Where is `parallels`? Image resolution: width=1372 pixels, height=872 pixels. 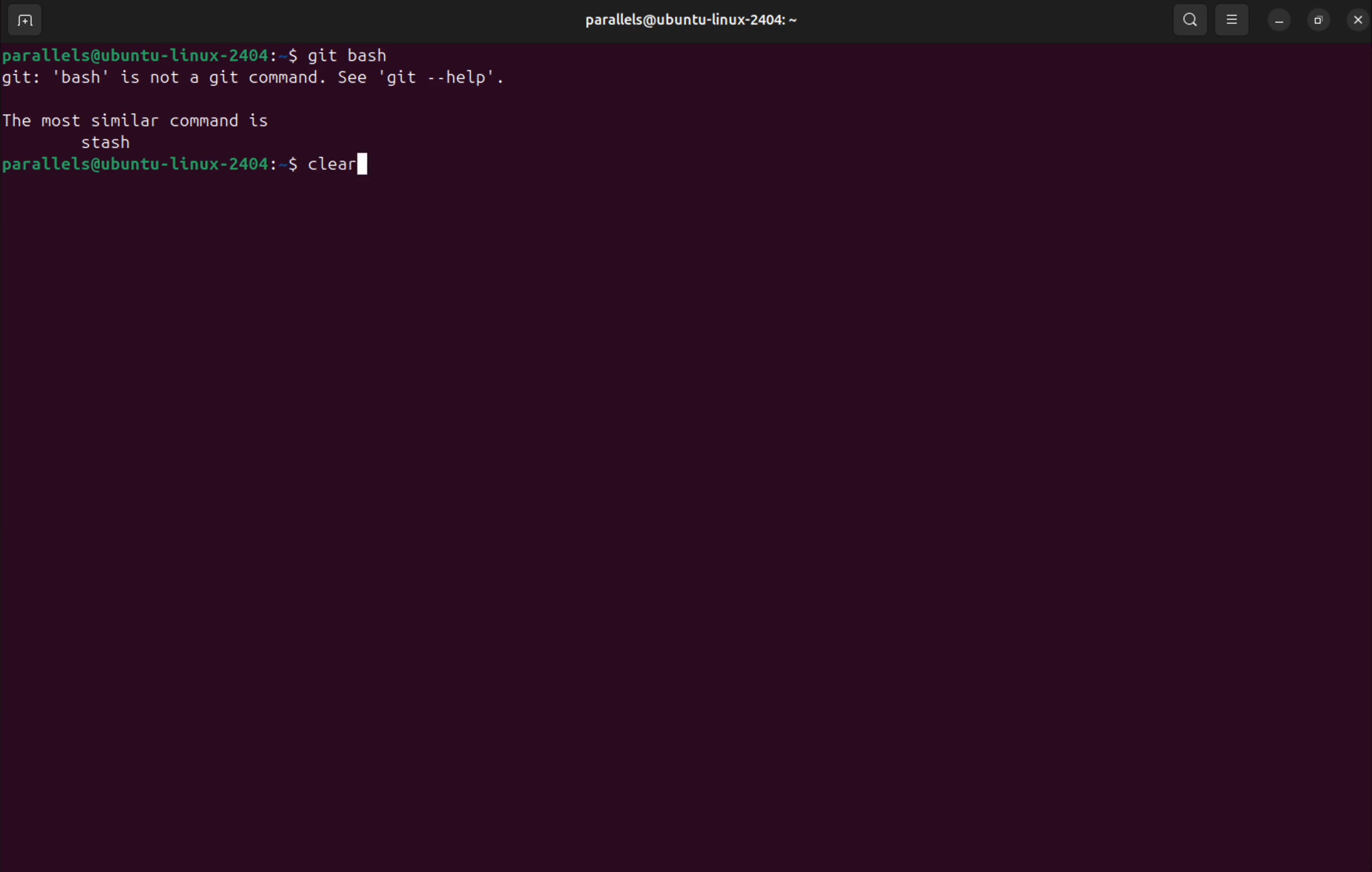 parallels is located at coordinates (689, 22).